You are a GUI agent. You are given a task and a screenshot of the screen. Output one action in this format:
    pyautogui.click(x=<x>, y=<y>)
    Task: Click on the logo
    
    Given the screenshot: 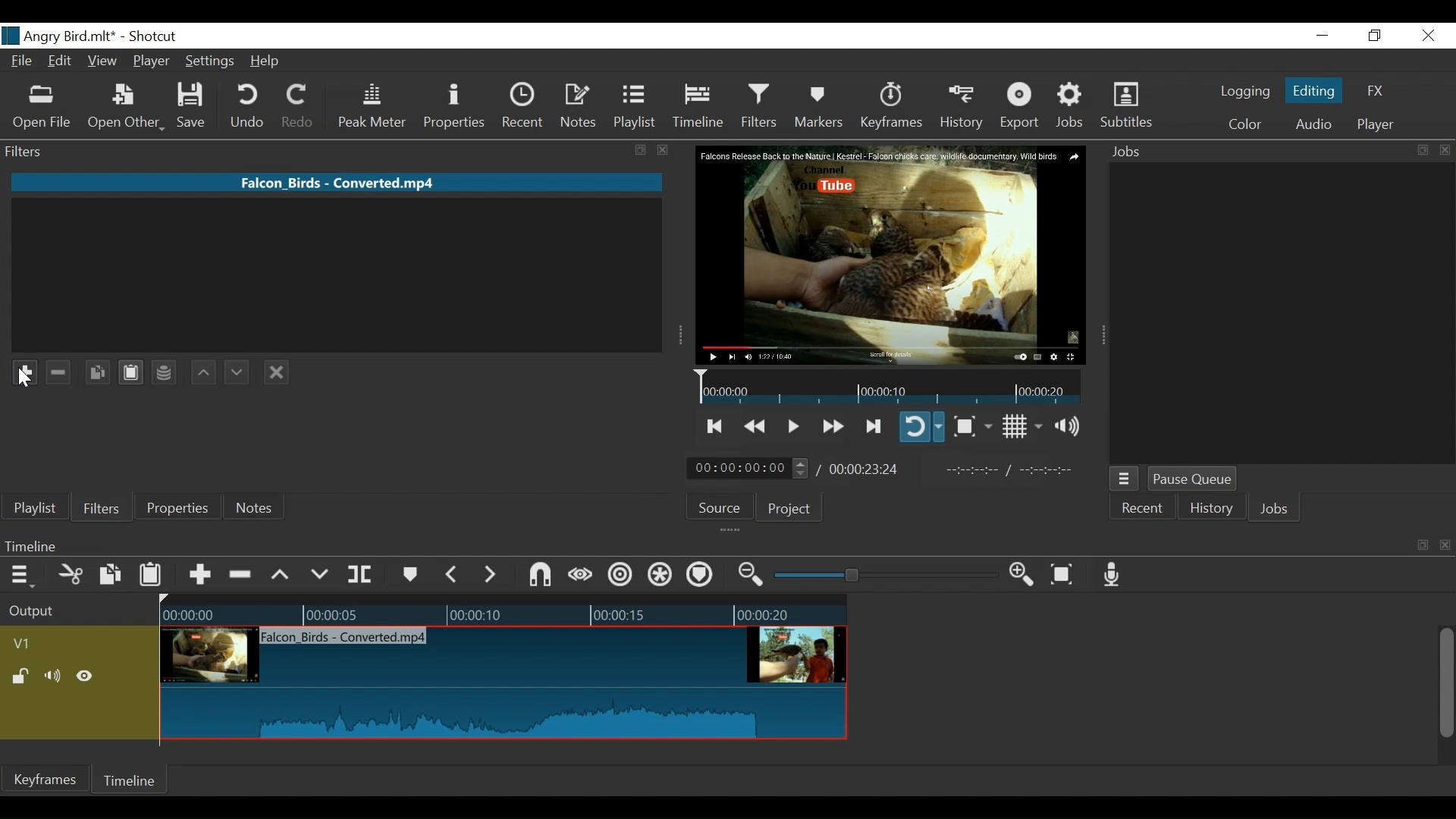 What is the action you would take?
    pyautogui.click(x=11, y=36)
    